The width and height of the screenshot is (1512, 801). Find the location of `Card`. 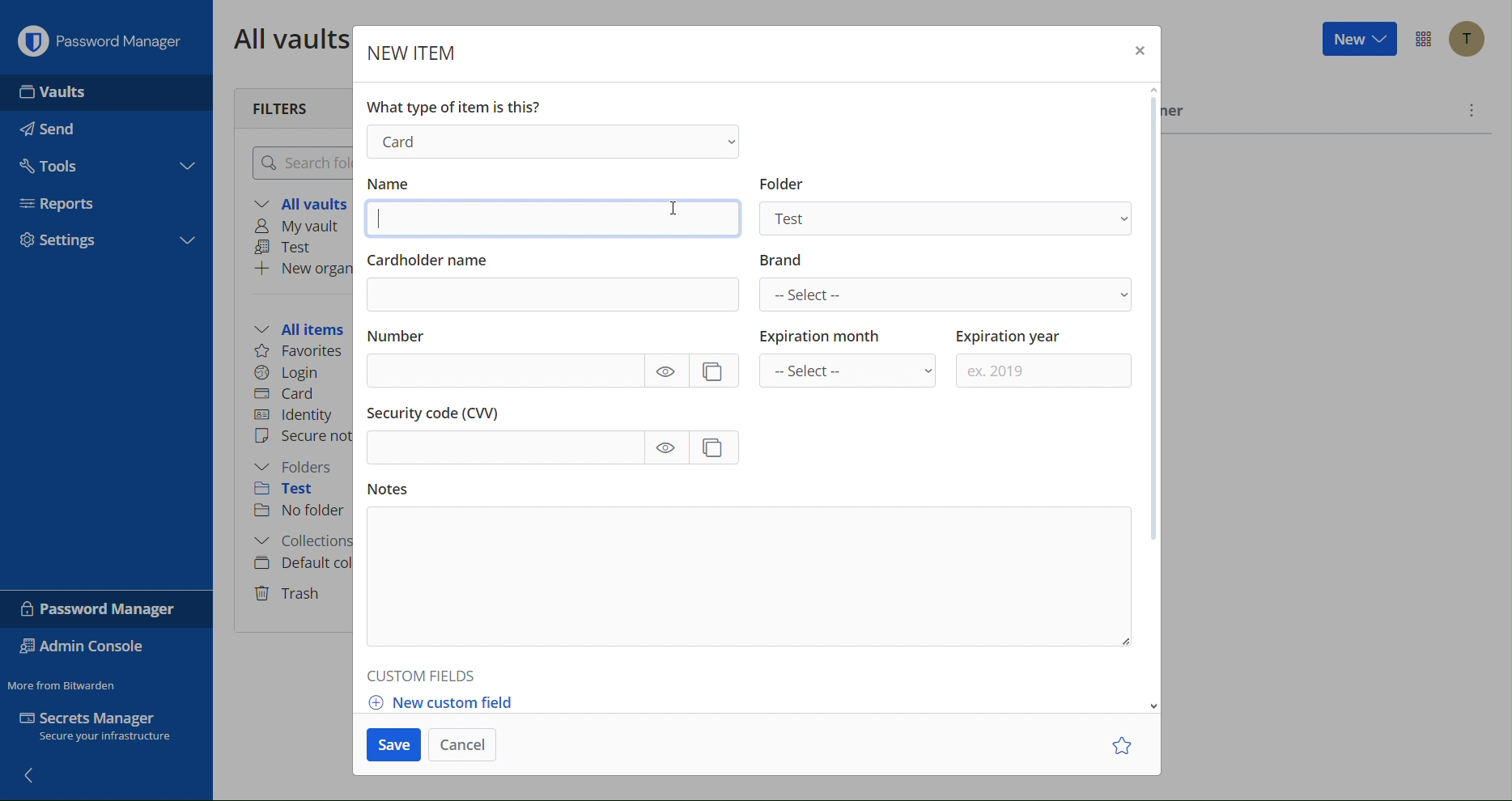

Card is located at coordinates (293, 396).